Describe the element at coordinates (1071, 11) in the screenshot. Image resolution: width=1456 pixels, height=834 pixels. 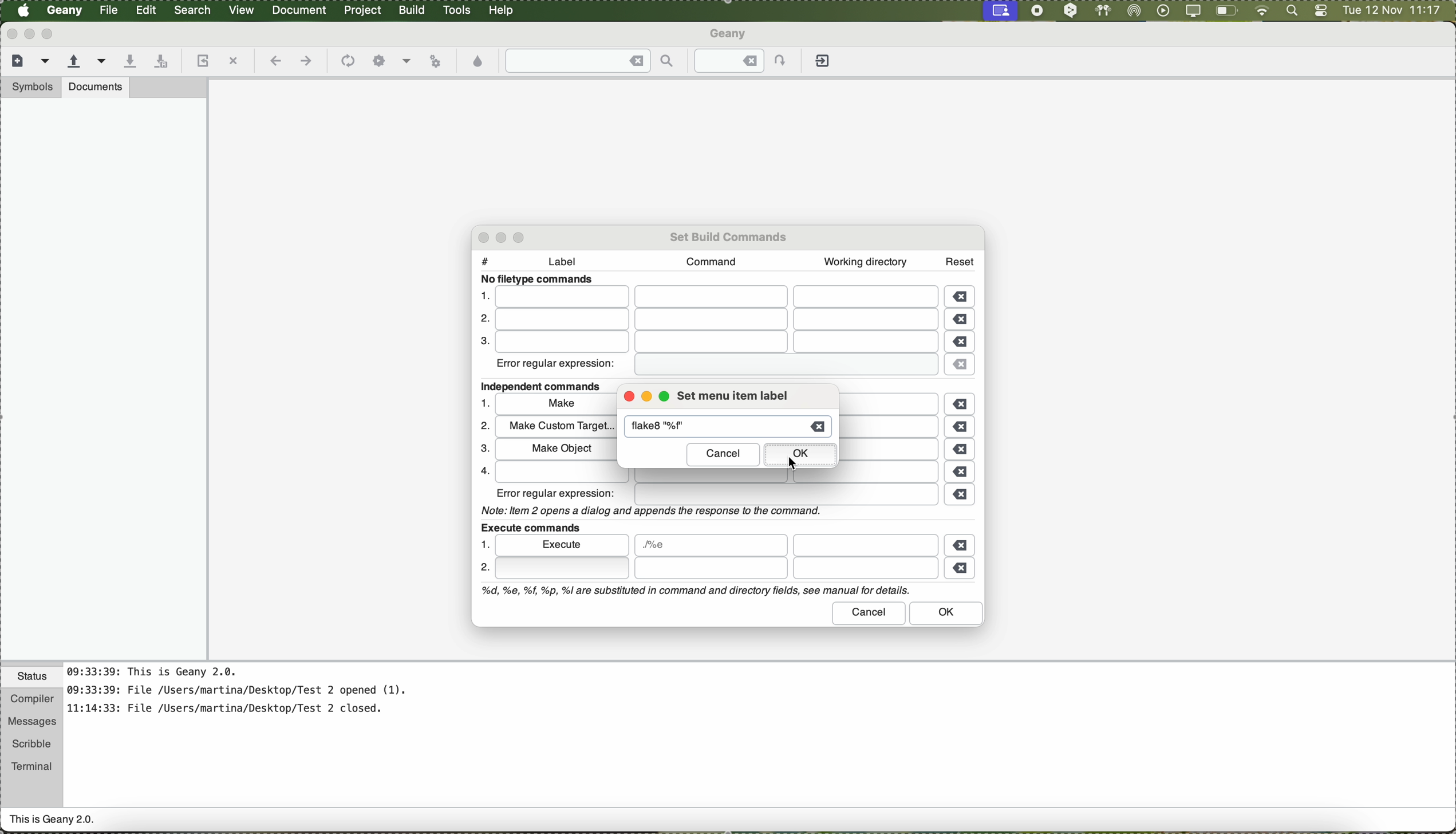
I see `DeepL` at that location.